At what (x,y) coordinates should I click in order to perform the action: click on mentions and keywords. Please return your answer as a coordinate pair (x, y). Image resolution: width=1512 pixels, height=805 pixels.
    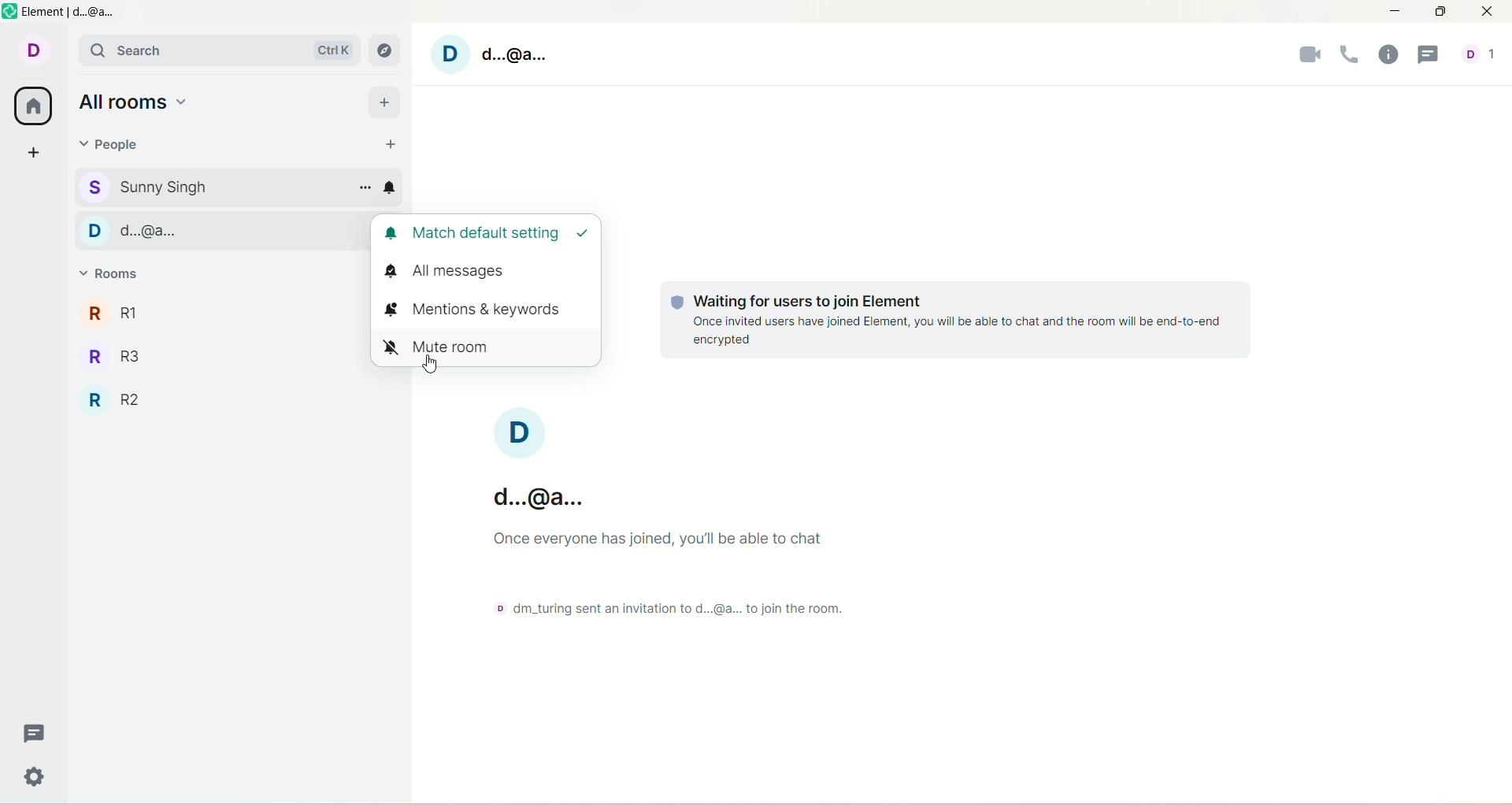
    Looking at the image, I should click on (487, 310).